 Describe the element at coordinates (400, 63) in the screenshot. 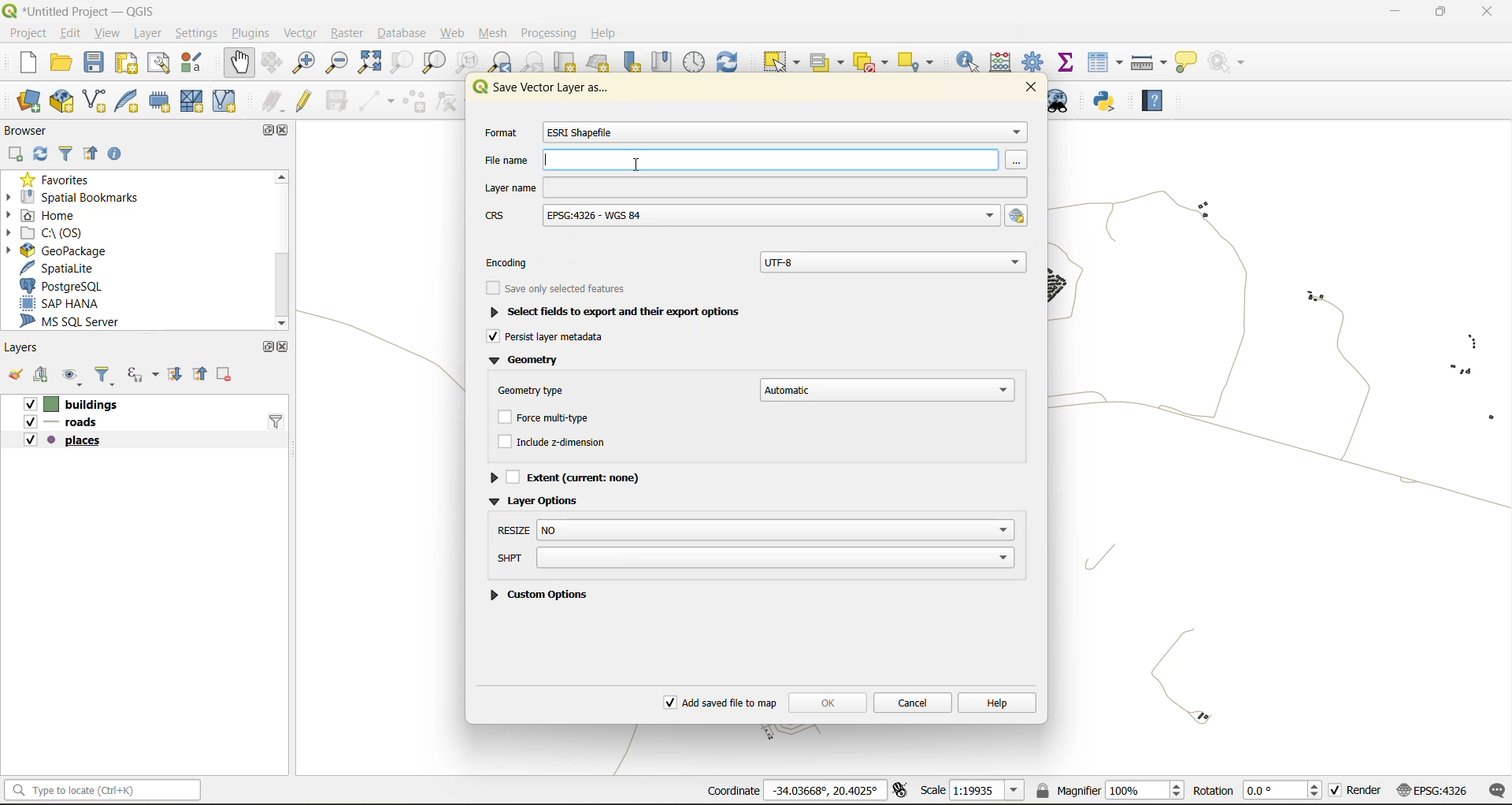

I see `zoom selection` at that location.